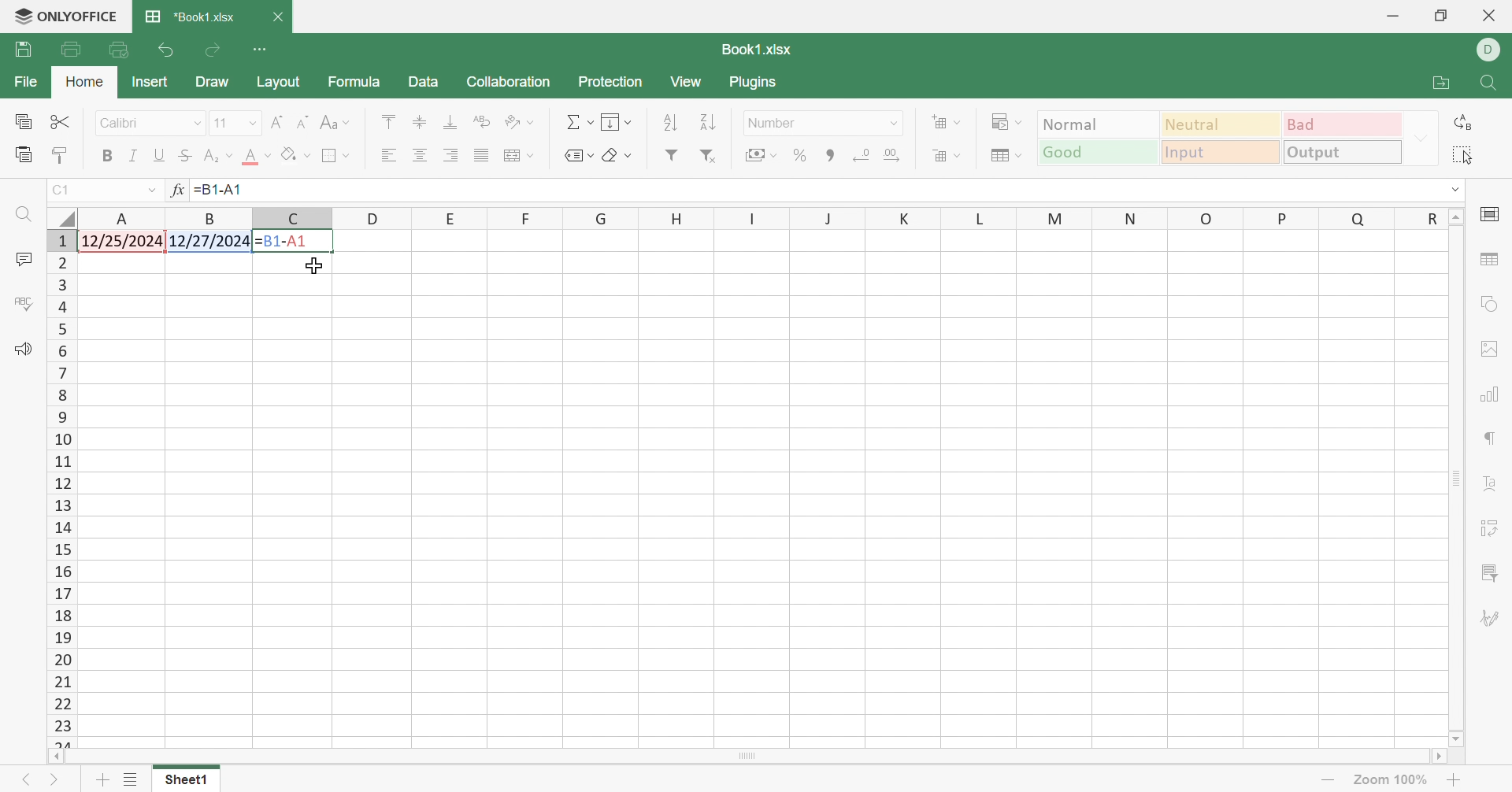 The width and height of the screenshot is (1512, 792). What do you see at coordinates (1442, 16) in the screenshot?
I see `Restore Down` at bounding box center [1442, 16].